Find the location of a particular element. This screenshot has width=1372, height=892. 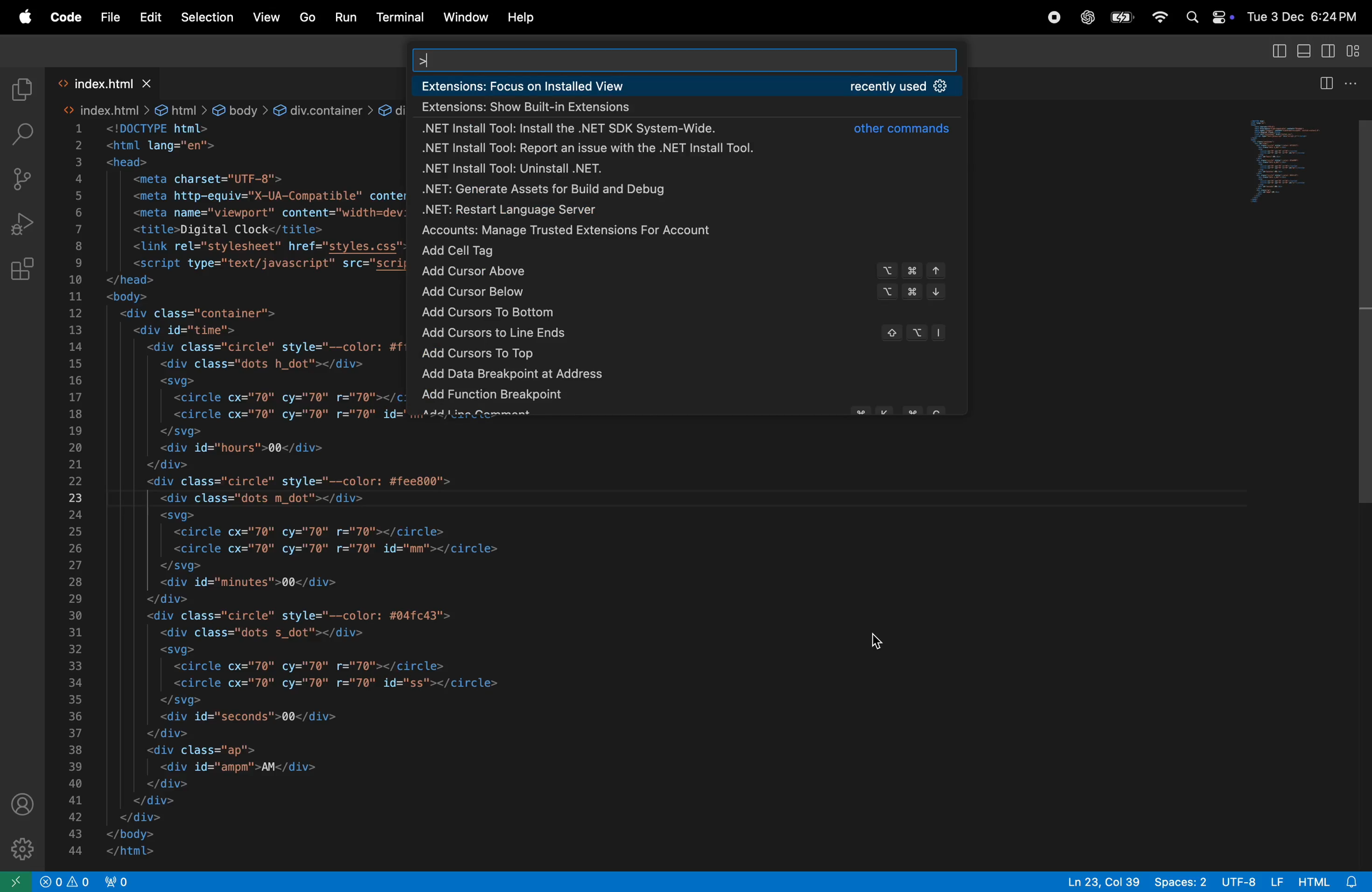

setting is located at coordinates (18, 848).